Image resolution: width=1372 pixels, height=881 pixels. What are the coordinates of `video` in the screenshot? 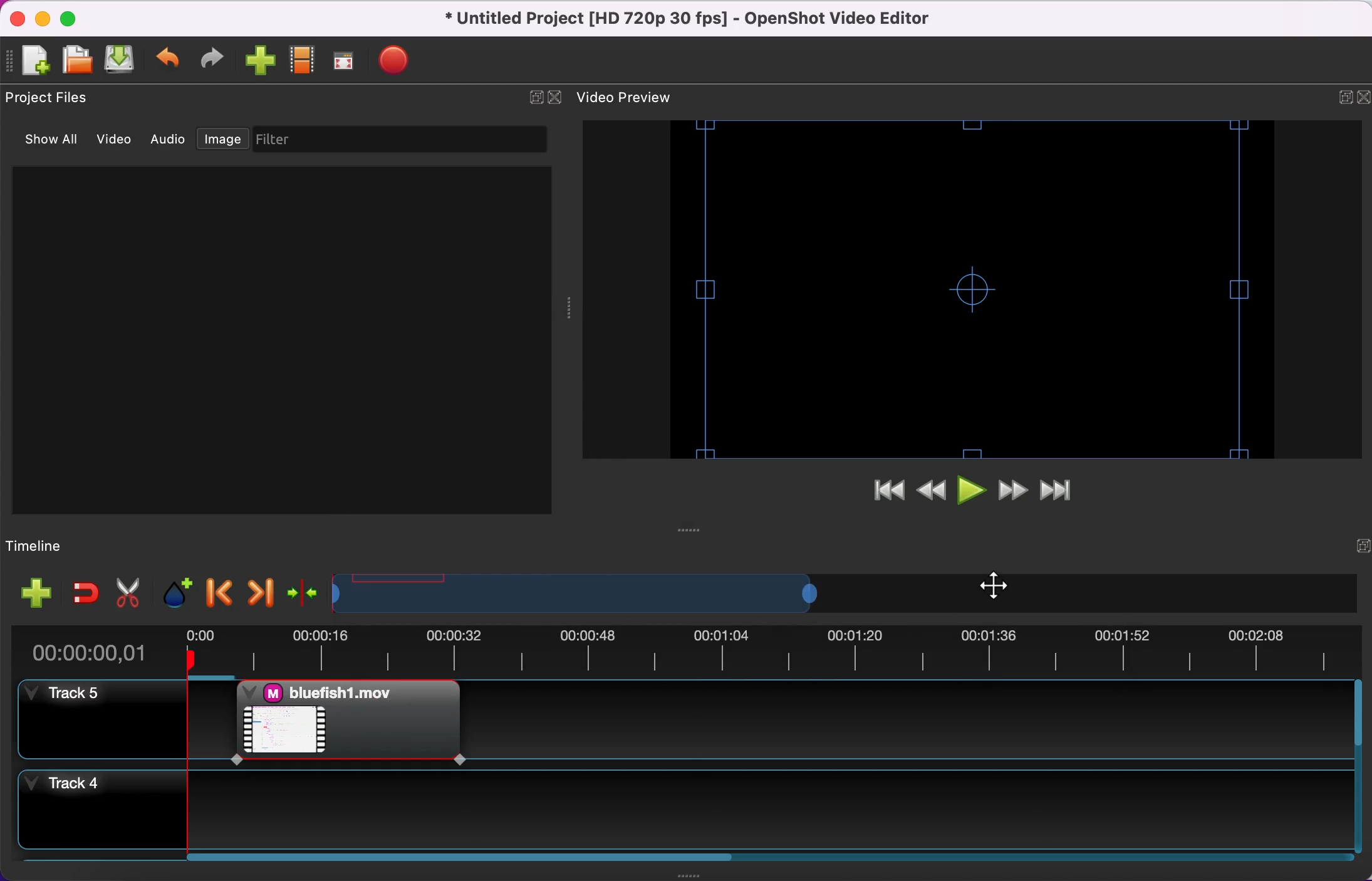 It's located at (117, 141).